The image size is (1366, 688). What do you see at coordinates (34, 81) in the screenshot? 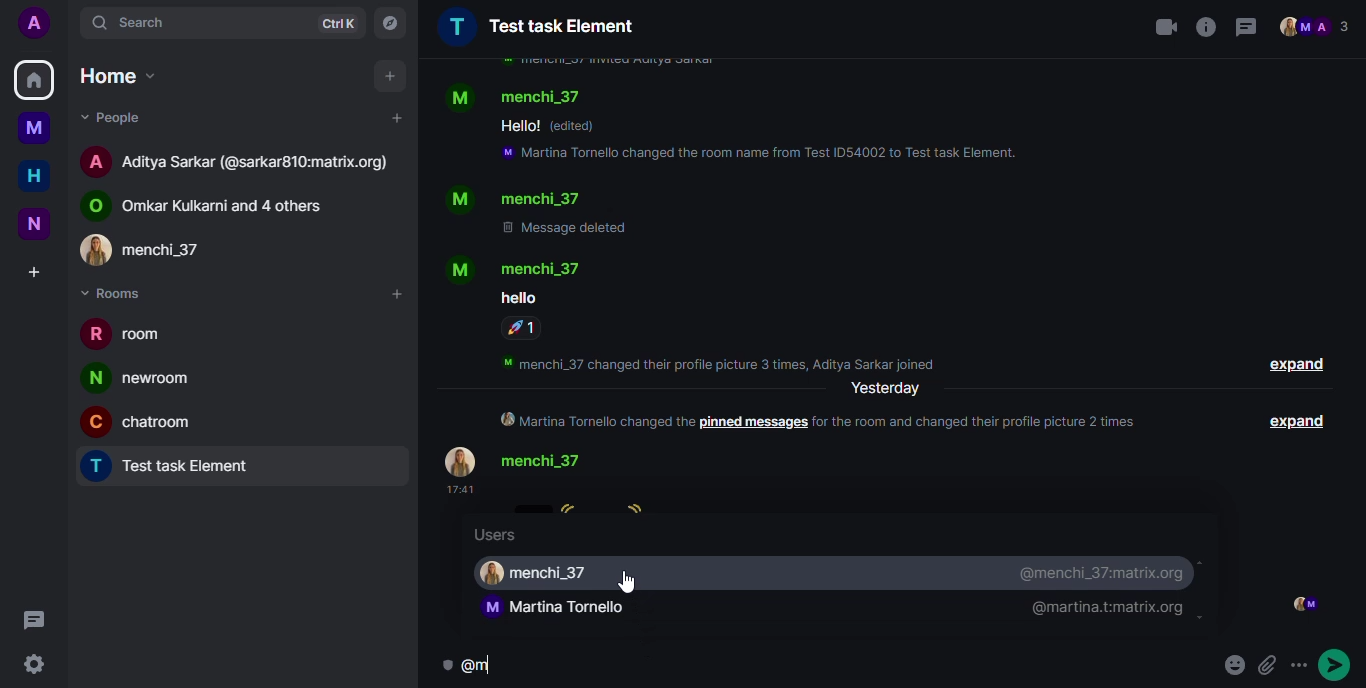
I see `home` at bounding box center [34, 81].